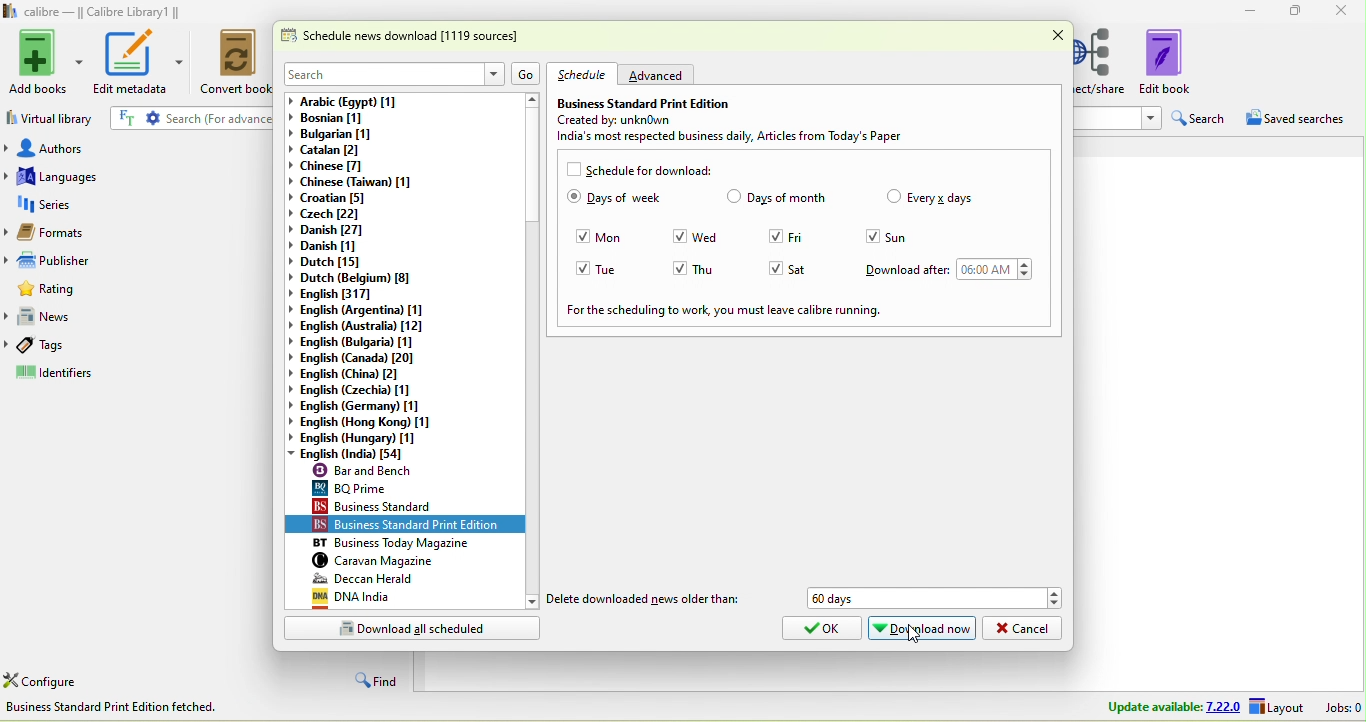 This screenshot has width=1366, height=722. I want to click on Add books options, so click(81, 59).